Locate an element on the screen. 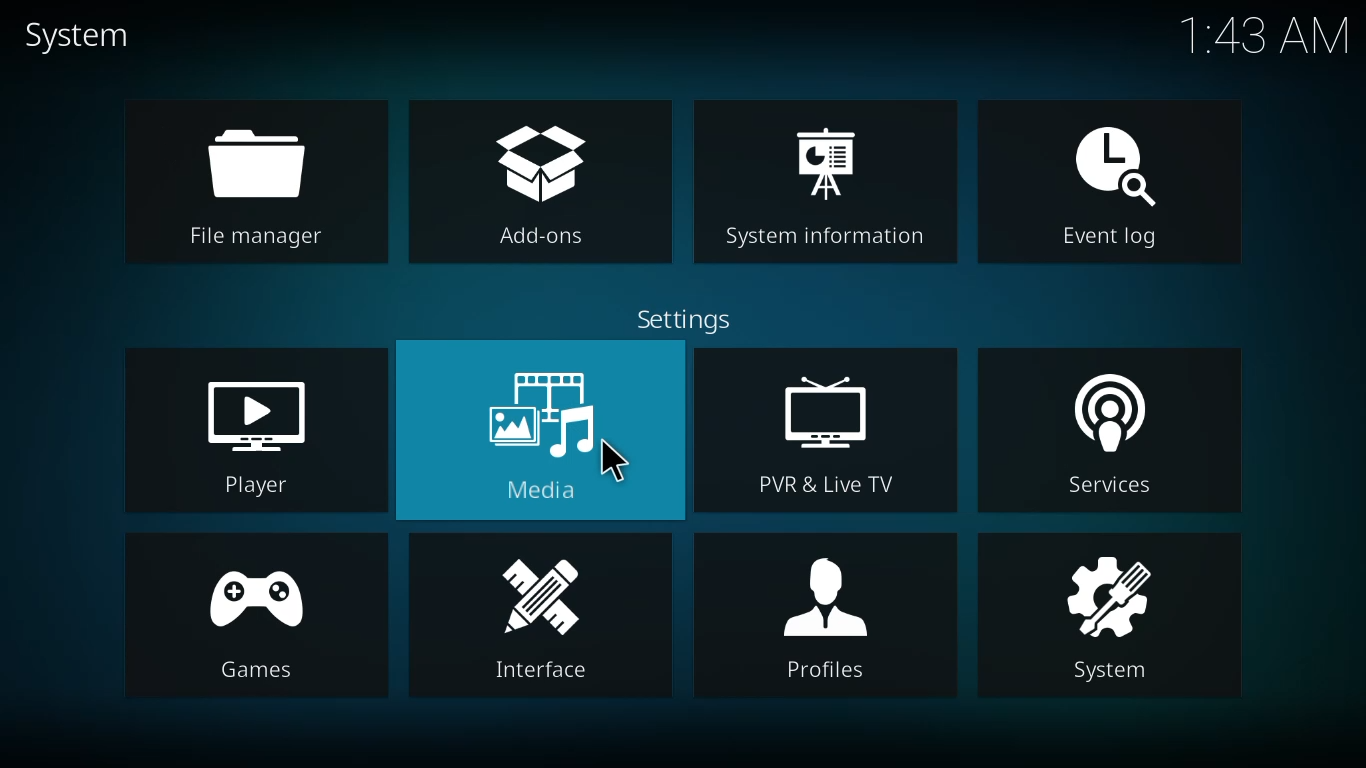  cursor is located at coordinates (616, 466).